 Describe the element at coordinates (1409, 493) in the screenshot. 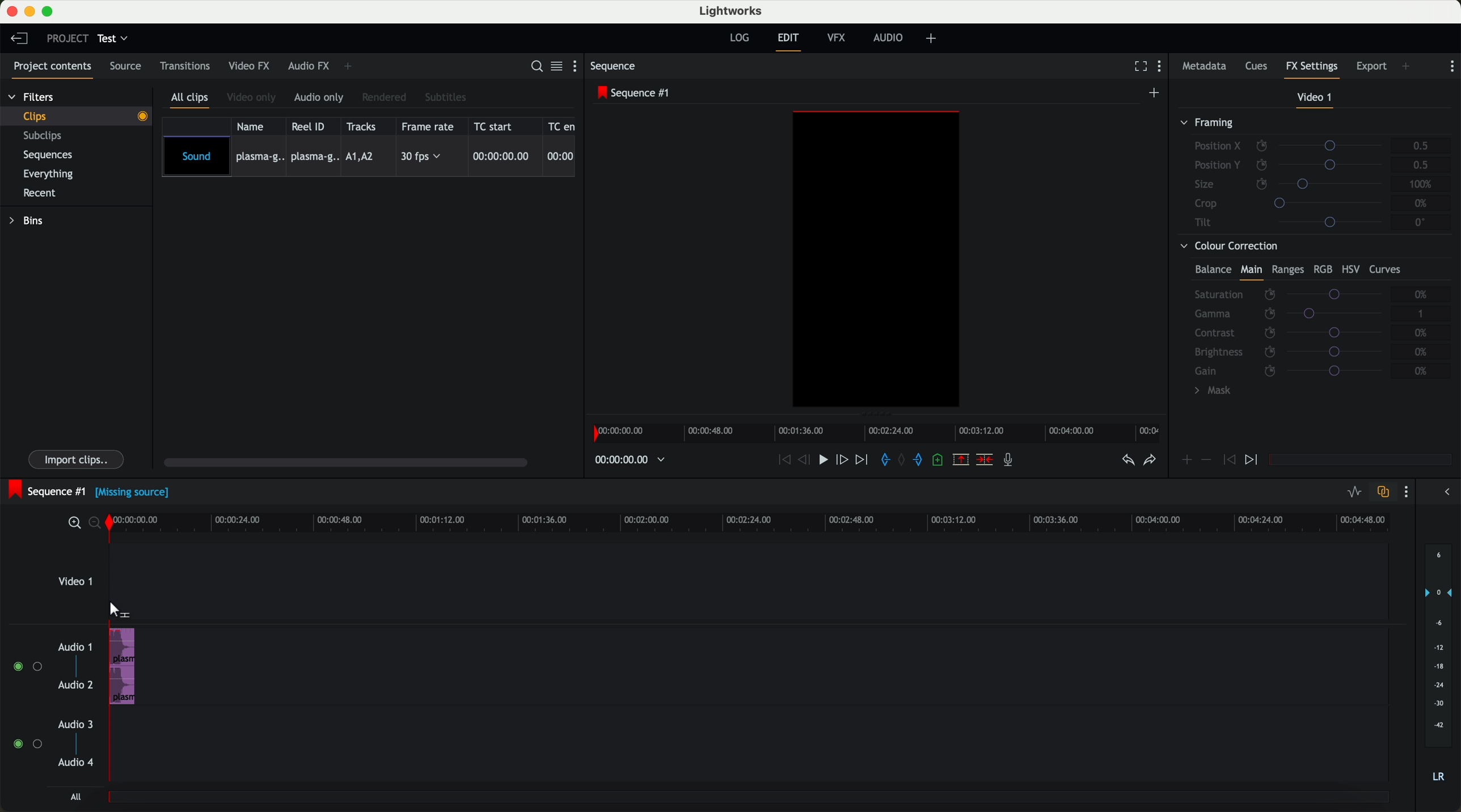

I see `show settings menu` at that location.